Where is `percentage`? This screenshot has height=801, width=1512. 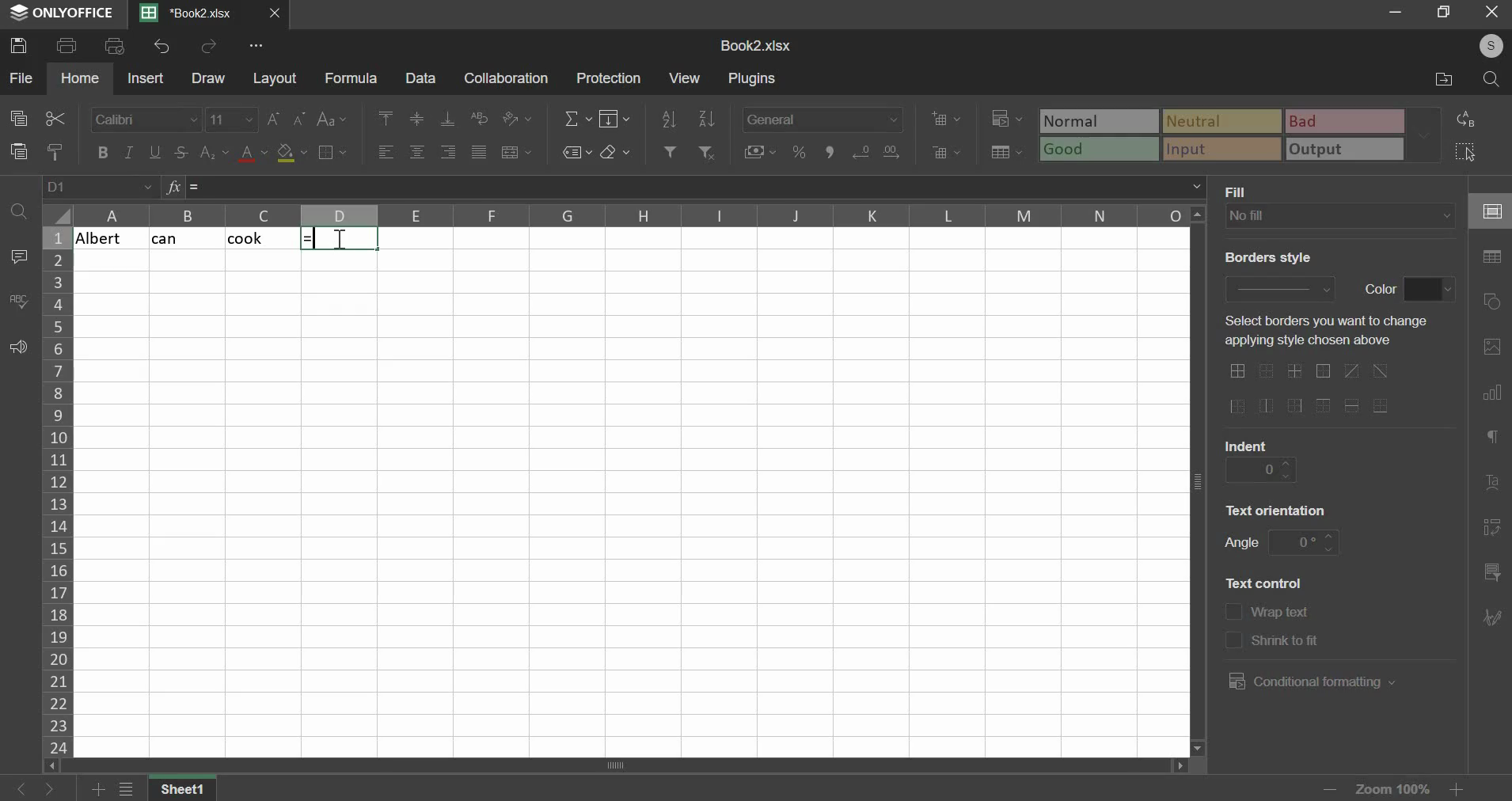 percentage is located at coordinates (798, 152).